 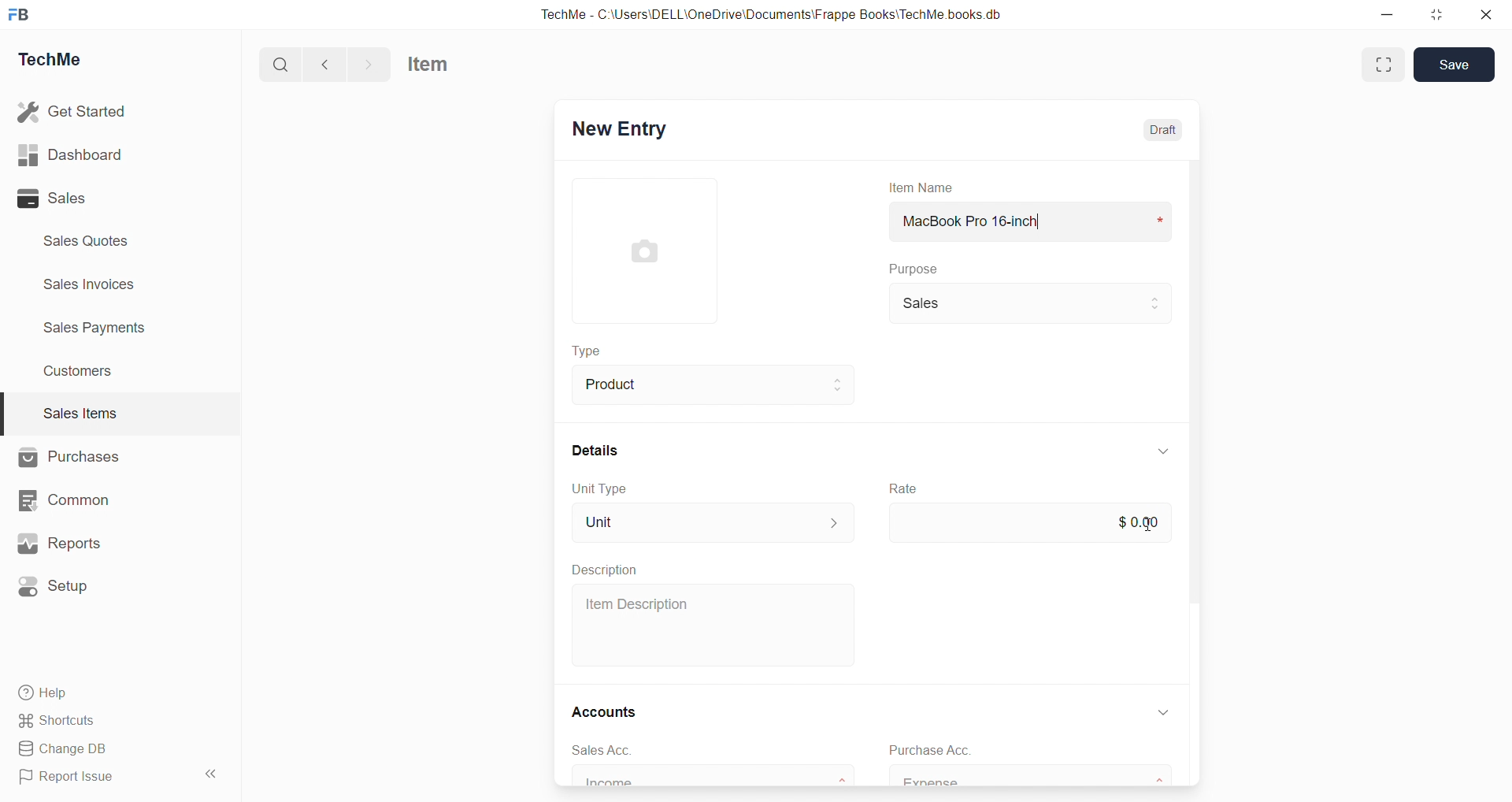 I want to click on Item Description, so click(x=636, y=603).